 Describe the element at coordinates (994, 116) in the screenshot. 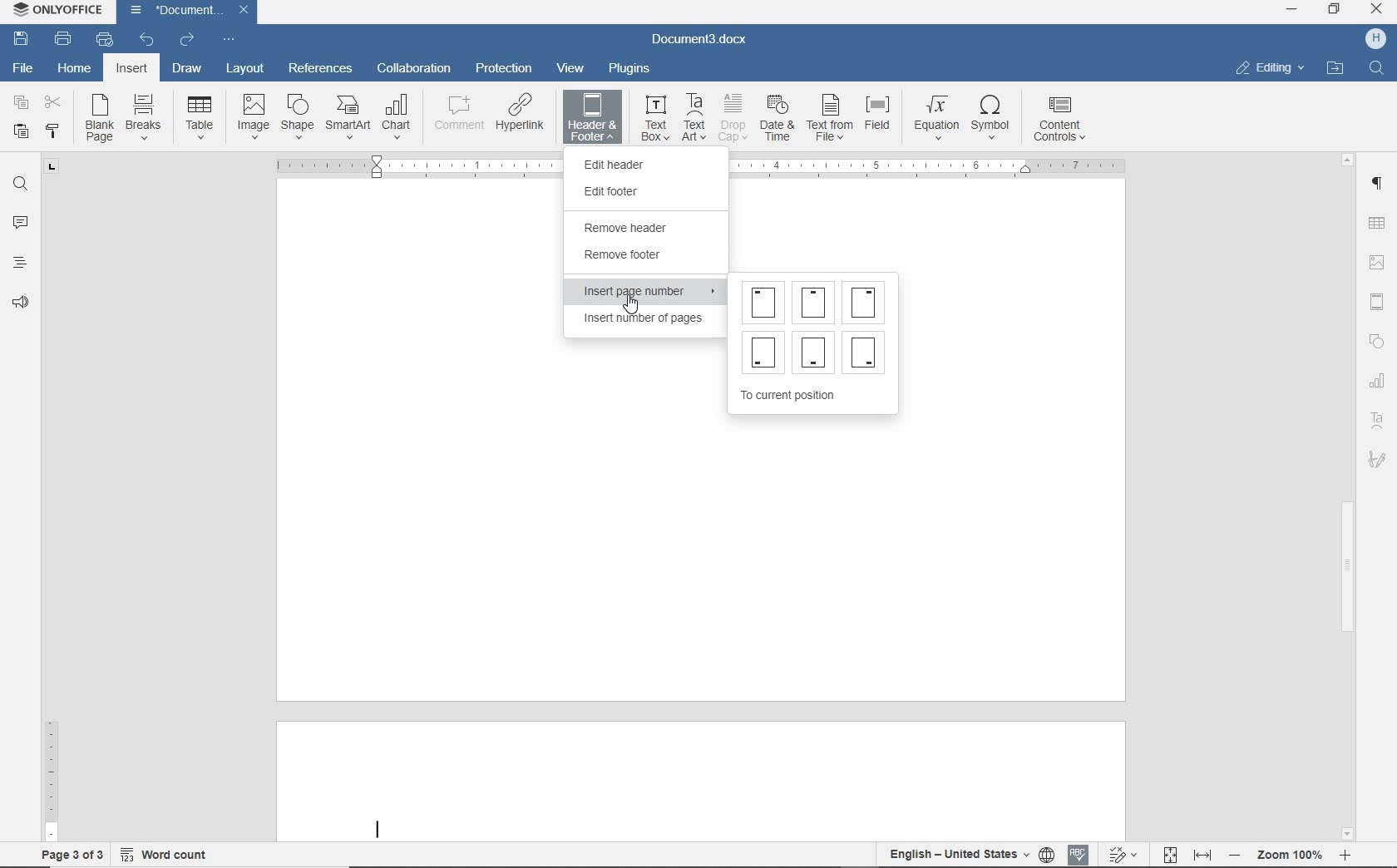

I see `SYMBOL` at that location.